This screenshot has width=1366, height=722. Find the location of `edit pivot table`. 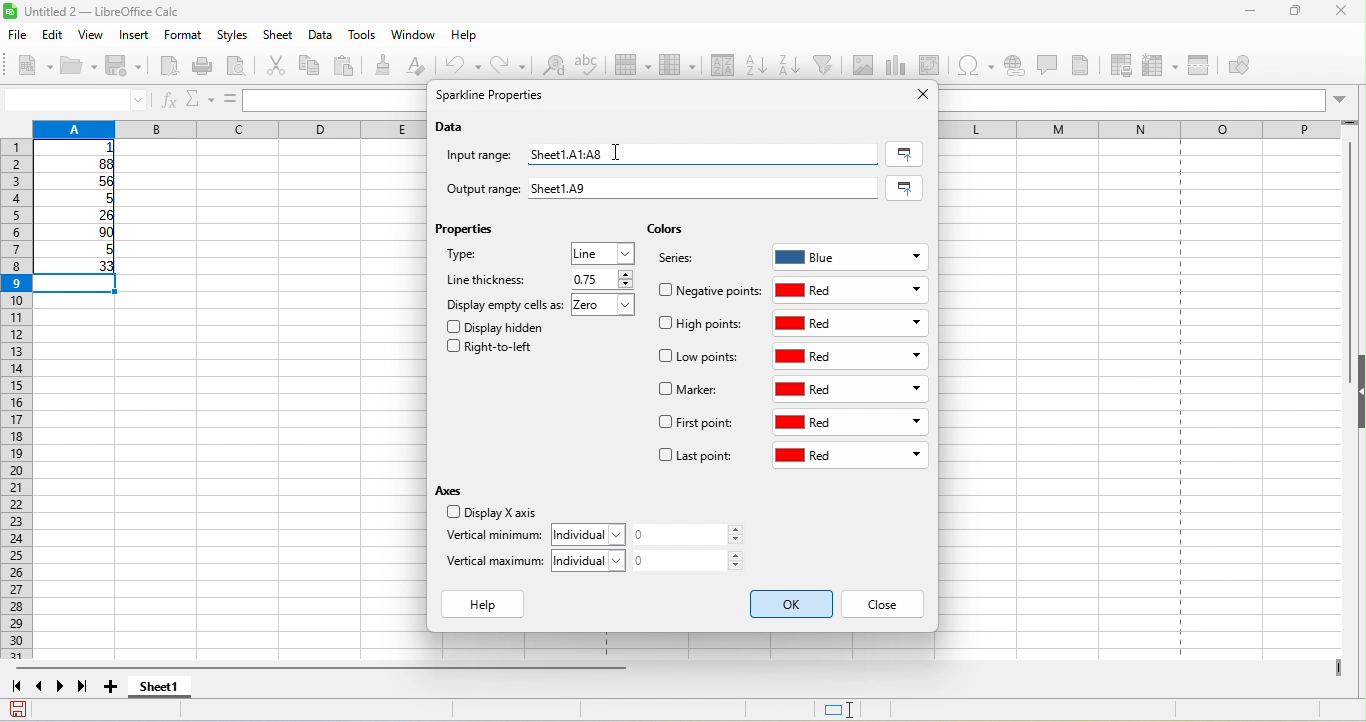

edit pivot table is located at coordinates (929, 64).